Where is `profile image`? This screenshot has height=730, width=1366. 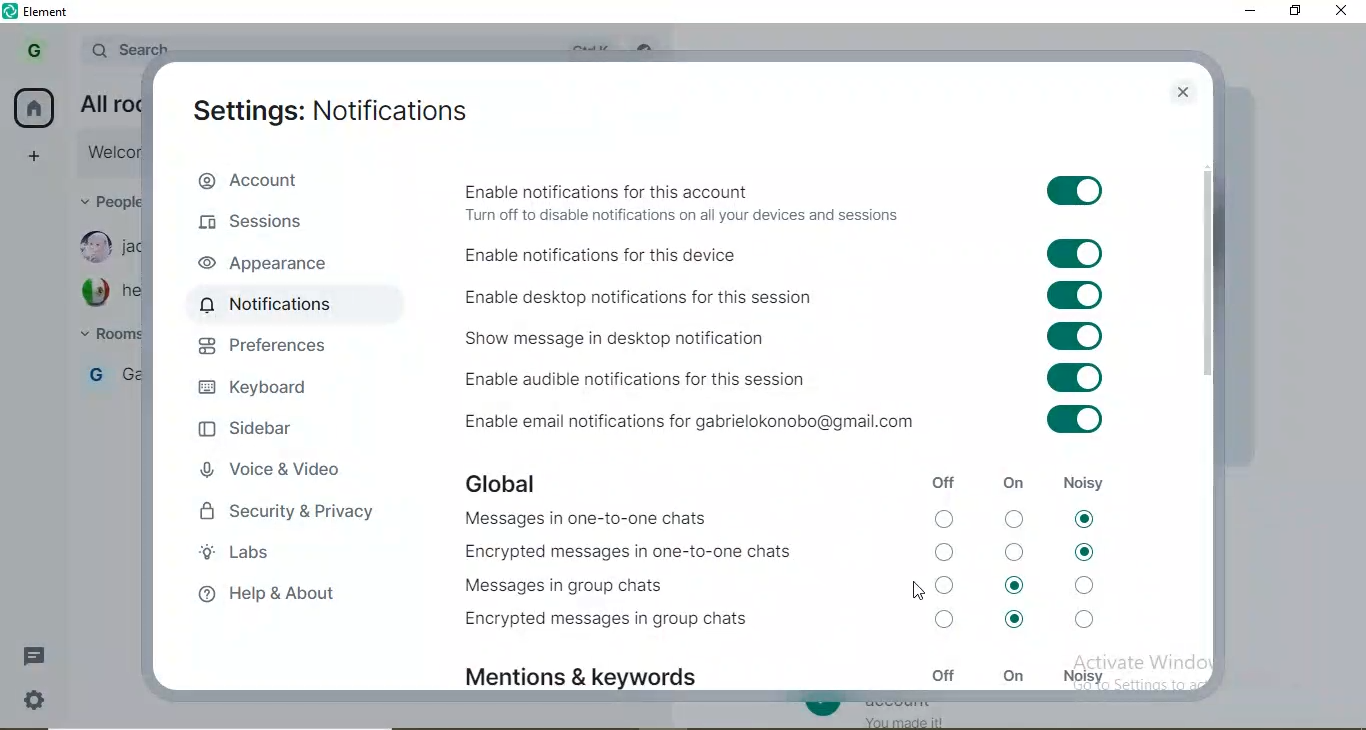 profile image is located at coordinates (94, 293).